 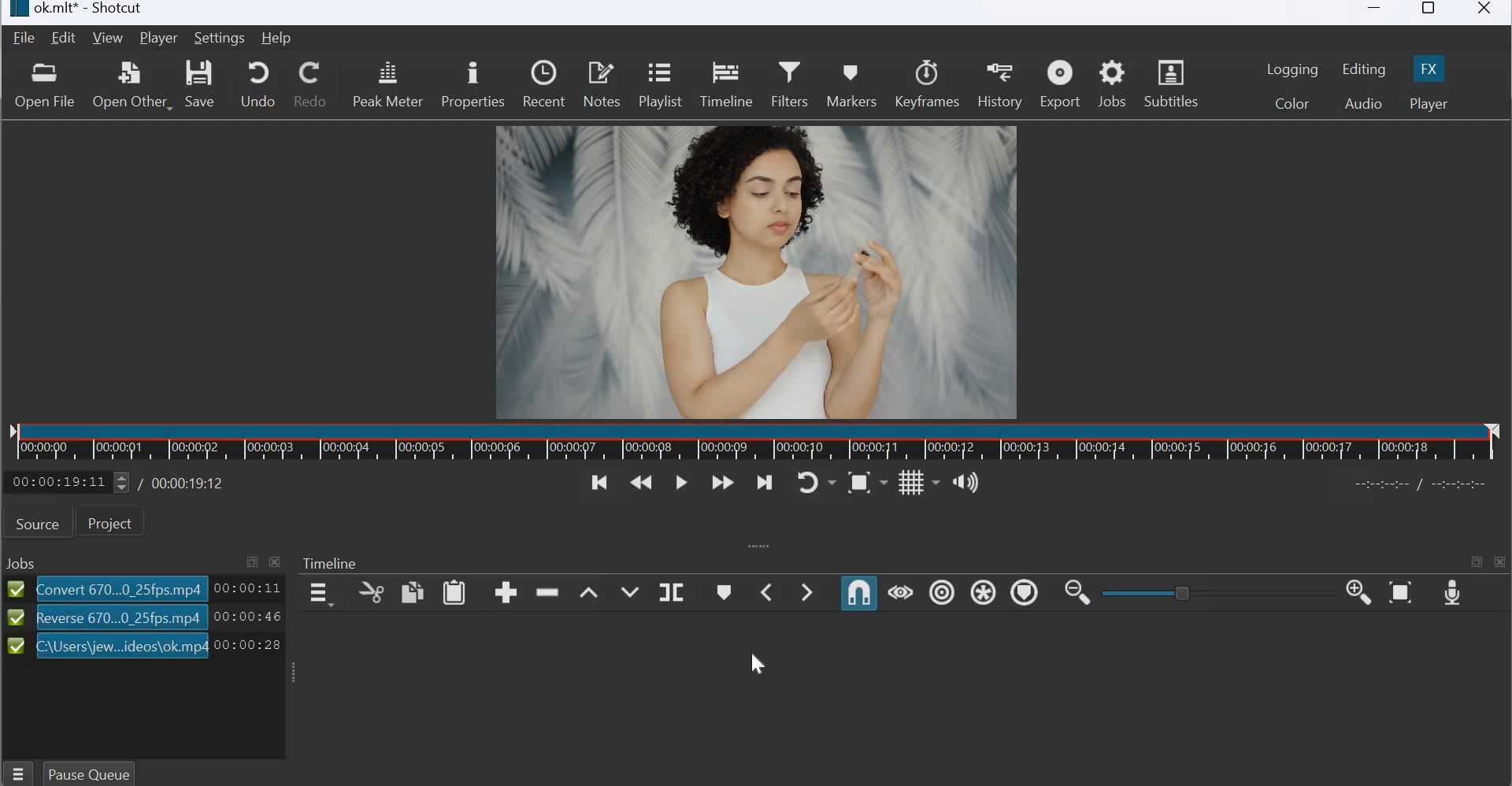 What do you see at coordinates (1428, 104) in the screenshot?
I see `Player` at bounding box center [1428, 104].